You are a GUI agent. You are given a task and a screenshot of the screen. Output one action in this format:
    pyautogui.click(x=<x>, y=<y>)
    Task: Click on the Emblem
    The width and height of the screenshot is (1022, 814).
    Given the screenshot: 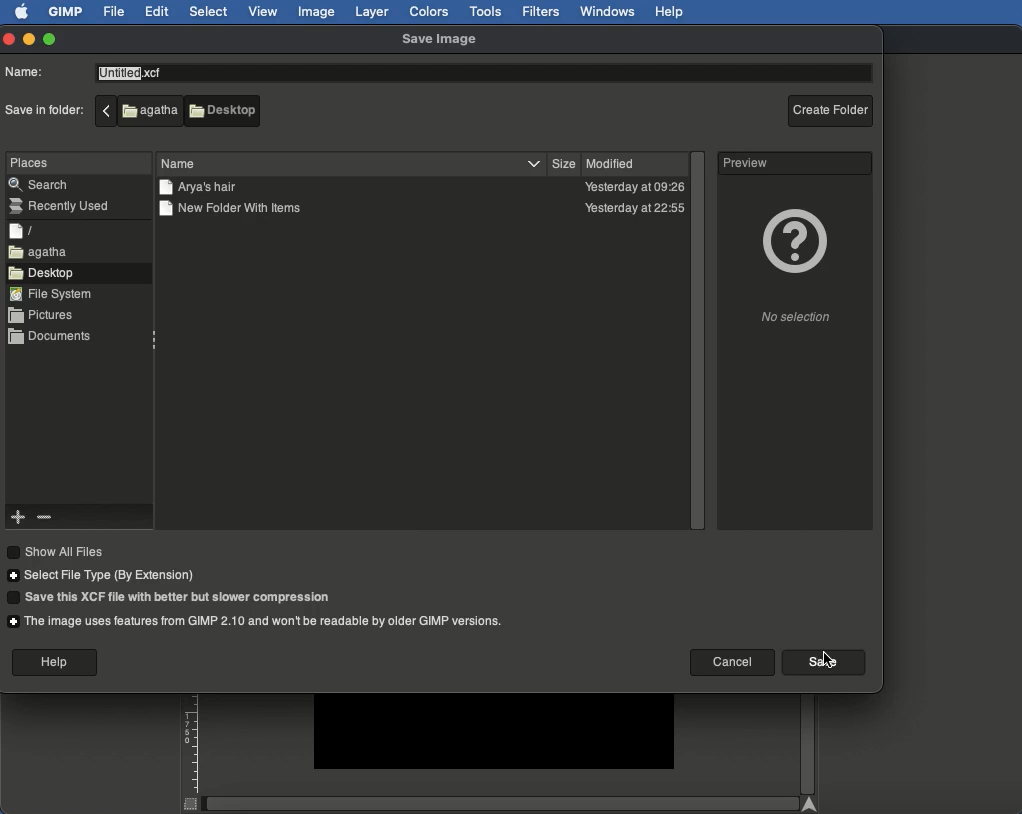 What is the action you would take?
    pyautogui.click(x=792, y=239)
    